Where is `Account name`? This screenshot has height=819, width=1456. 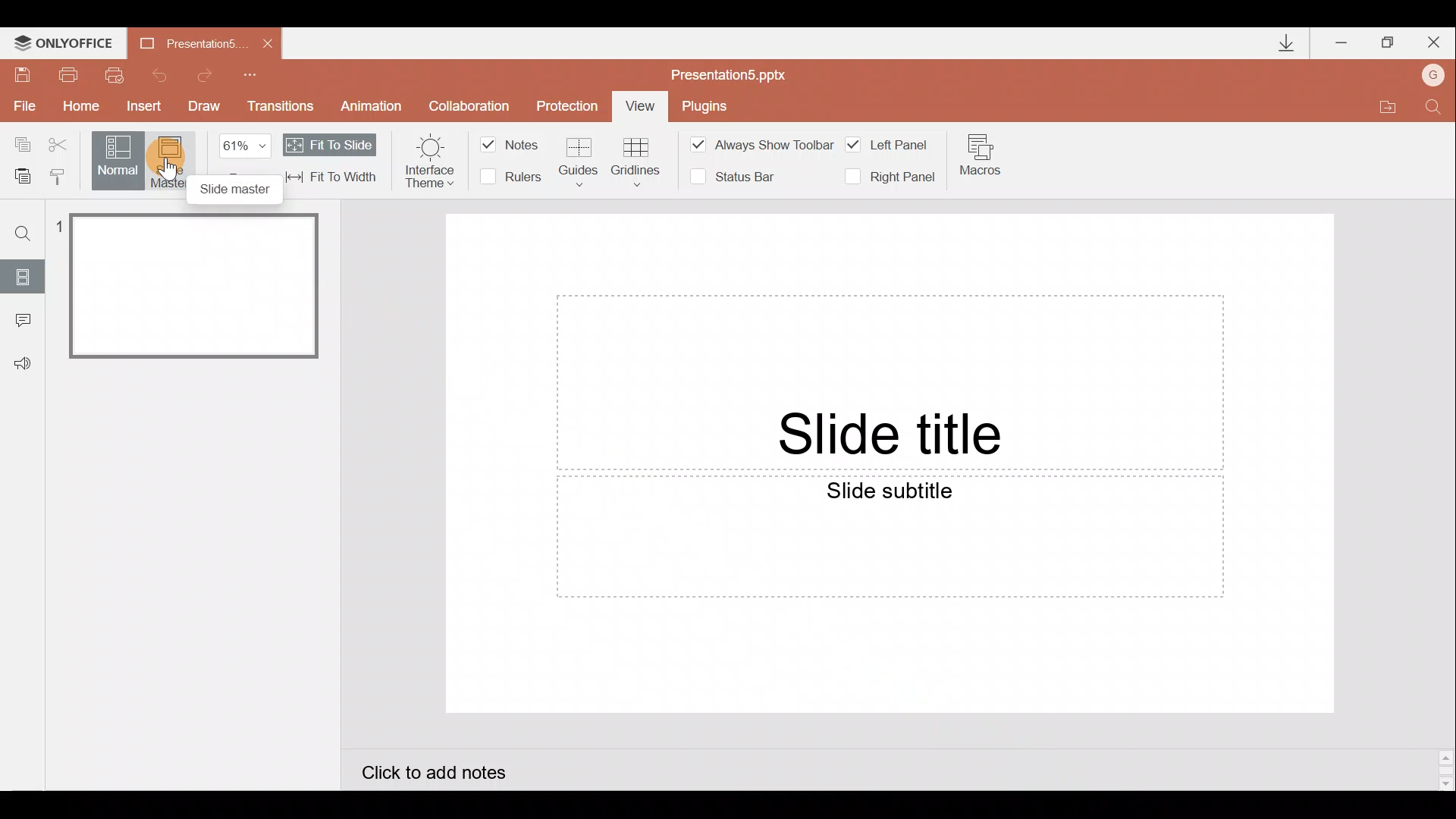
Account name is located at coordinates (1436, 73).